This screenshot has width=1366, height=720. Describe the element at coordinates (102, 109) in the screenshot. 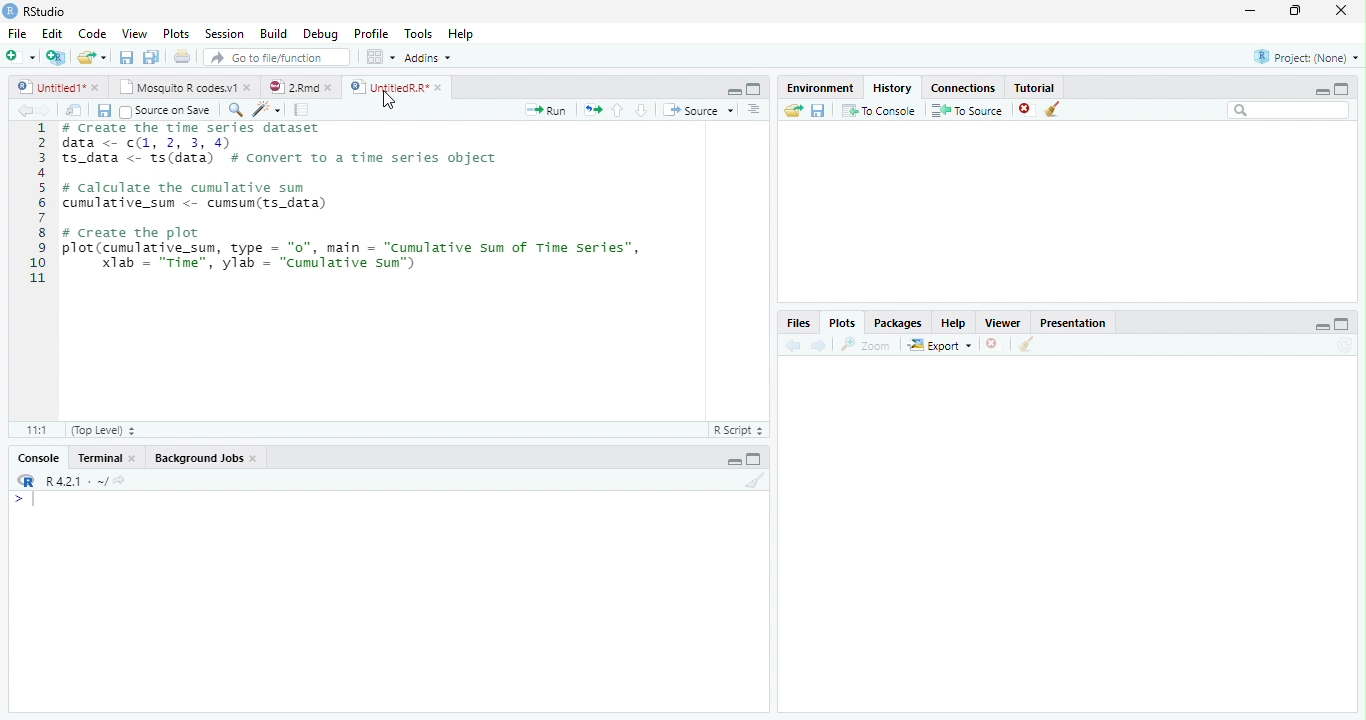

I see `Save` at that location.